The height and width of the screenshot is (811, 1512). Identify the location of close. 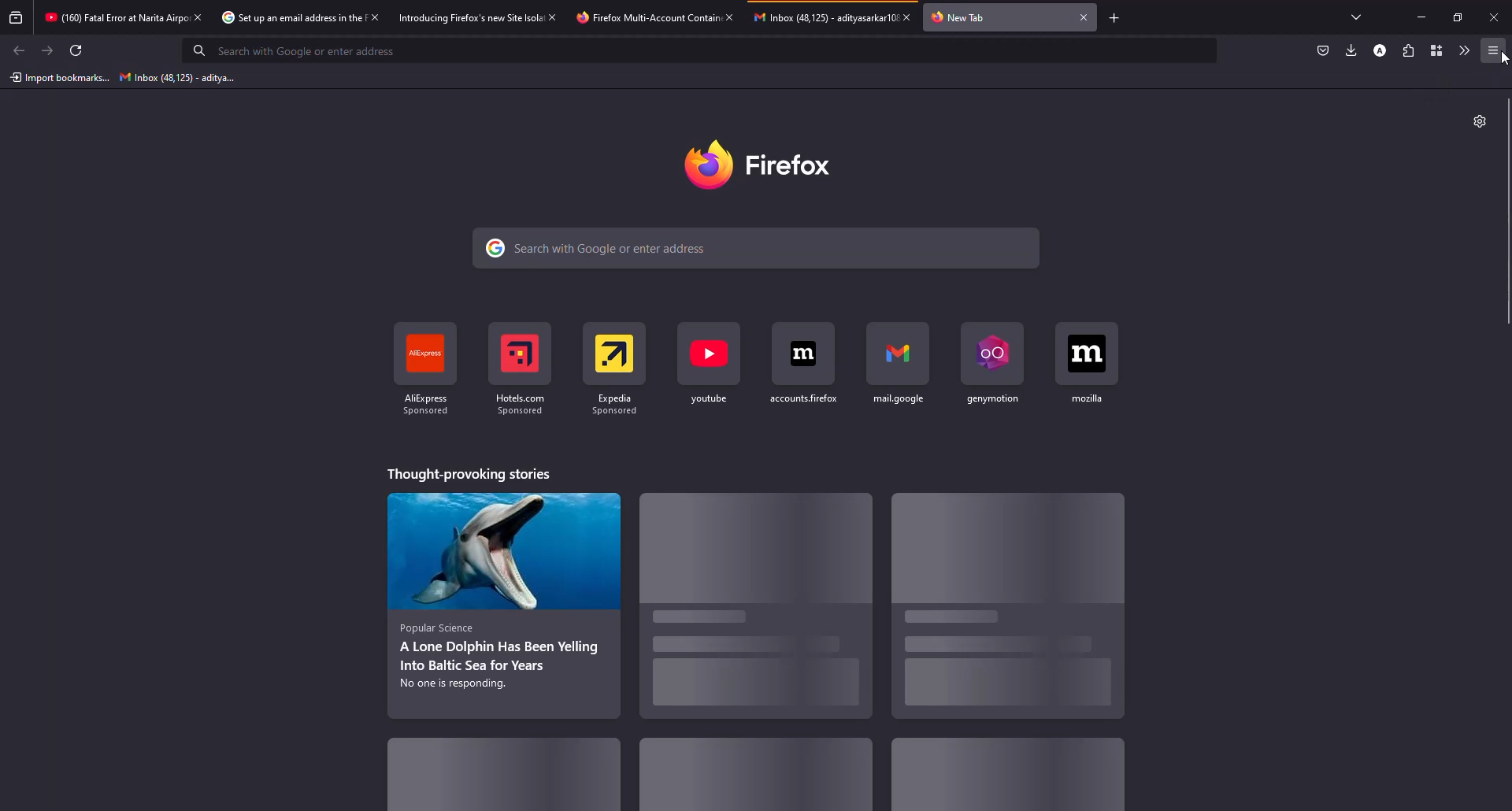
(554, 17).